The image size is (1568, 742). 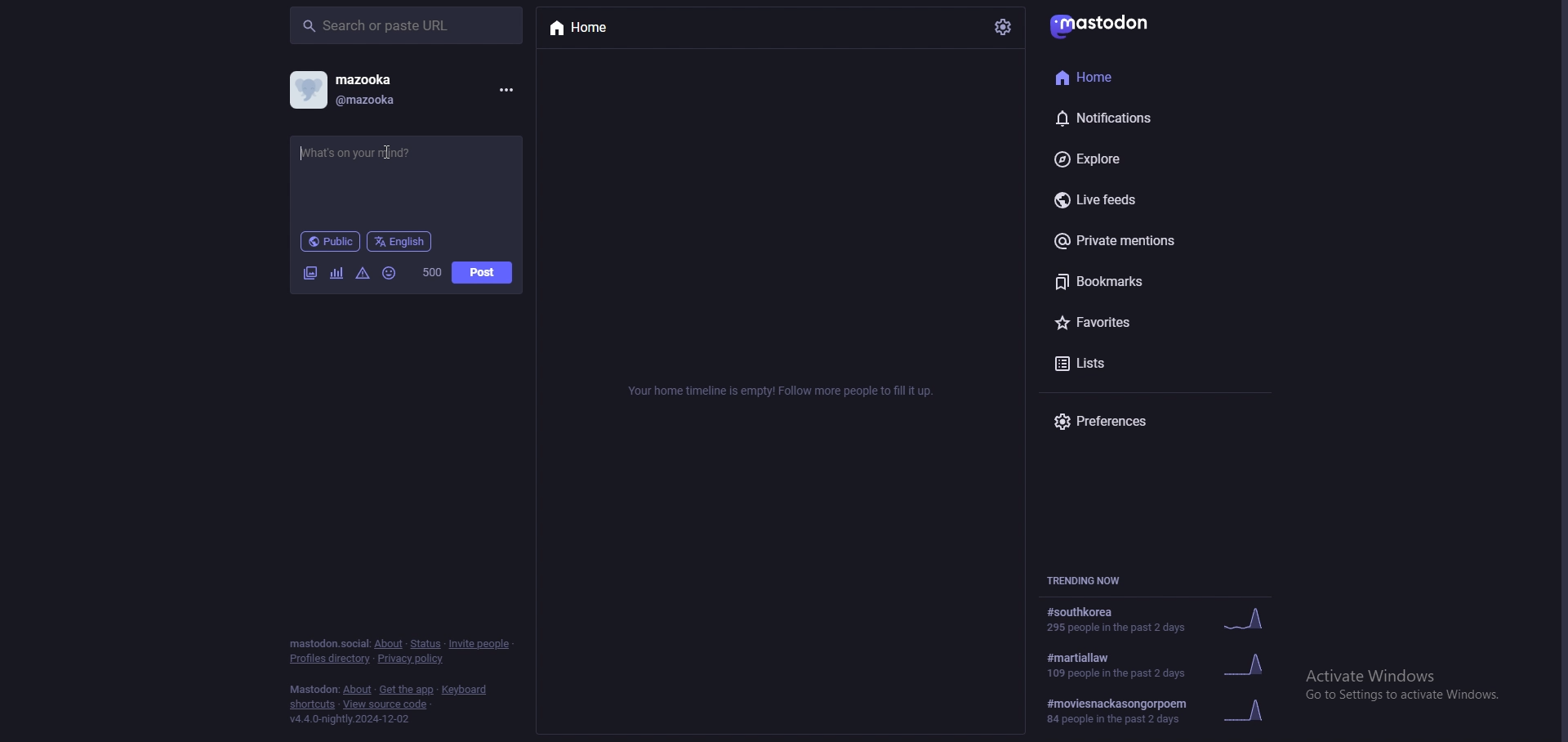 I want to click on cursor, so click(x=385, y=154).